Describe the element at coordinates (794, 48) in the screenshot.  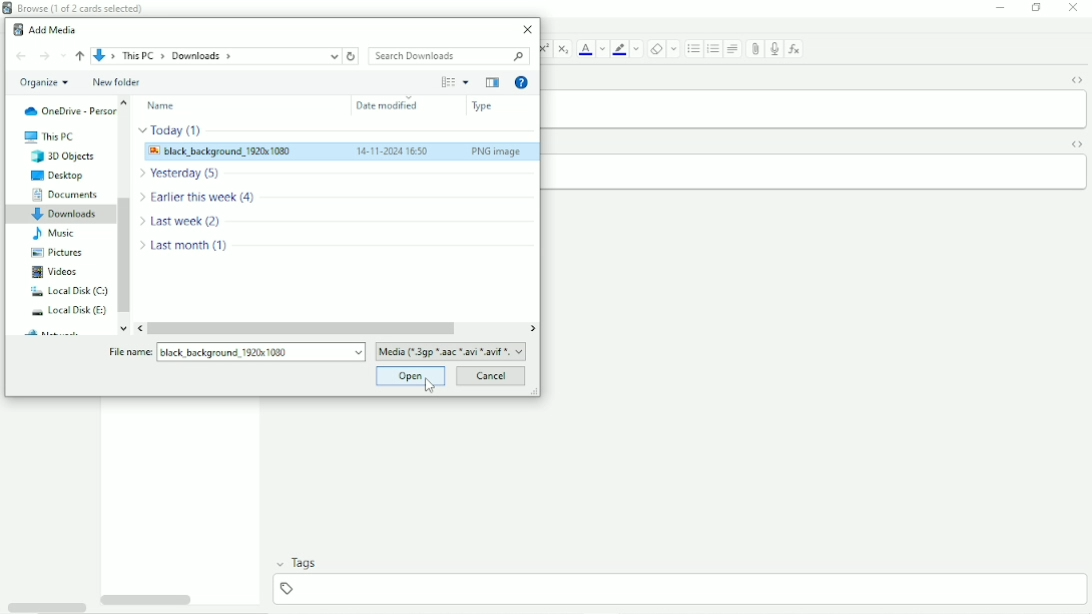
I see `Equations` at that location.